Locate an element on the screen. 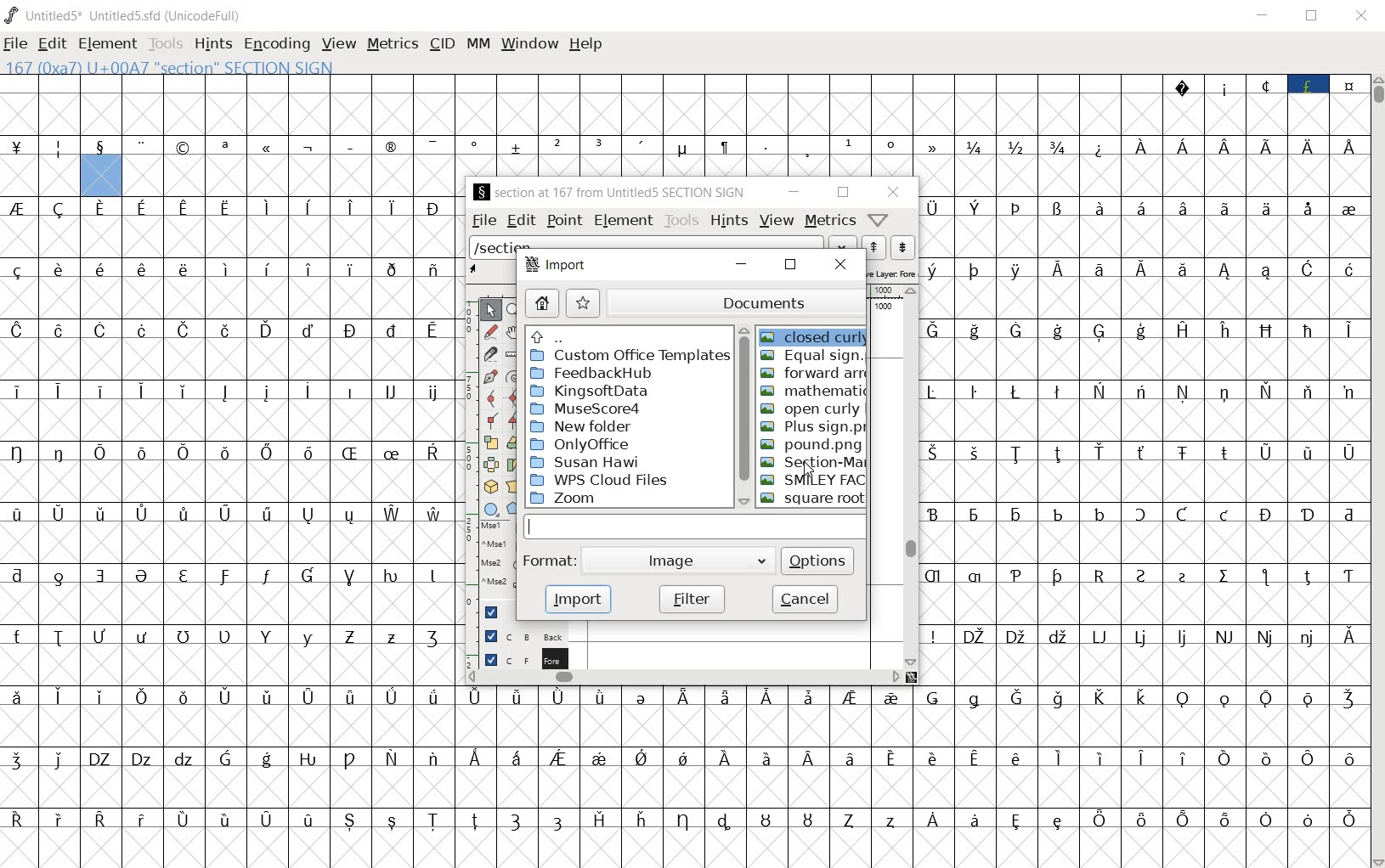 The height and width of the screenshot is (868, 1385). MAGNIFY is located at coordinates (515, 309).